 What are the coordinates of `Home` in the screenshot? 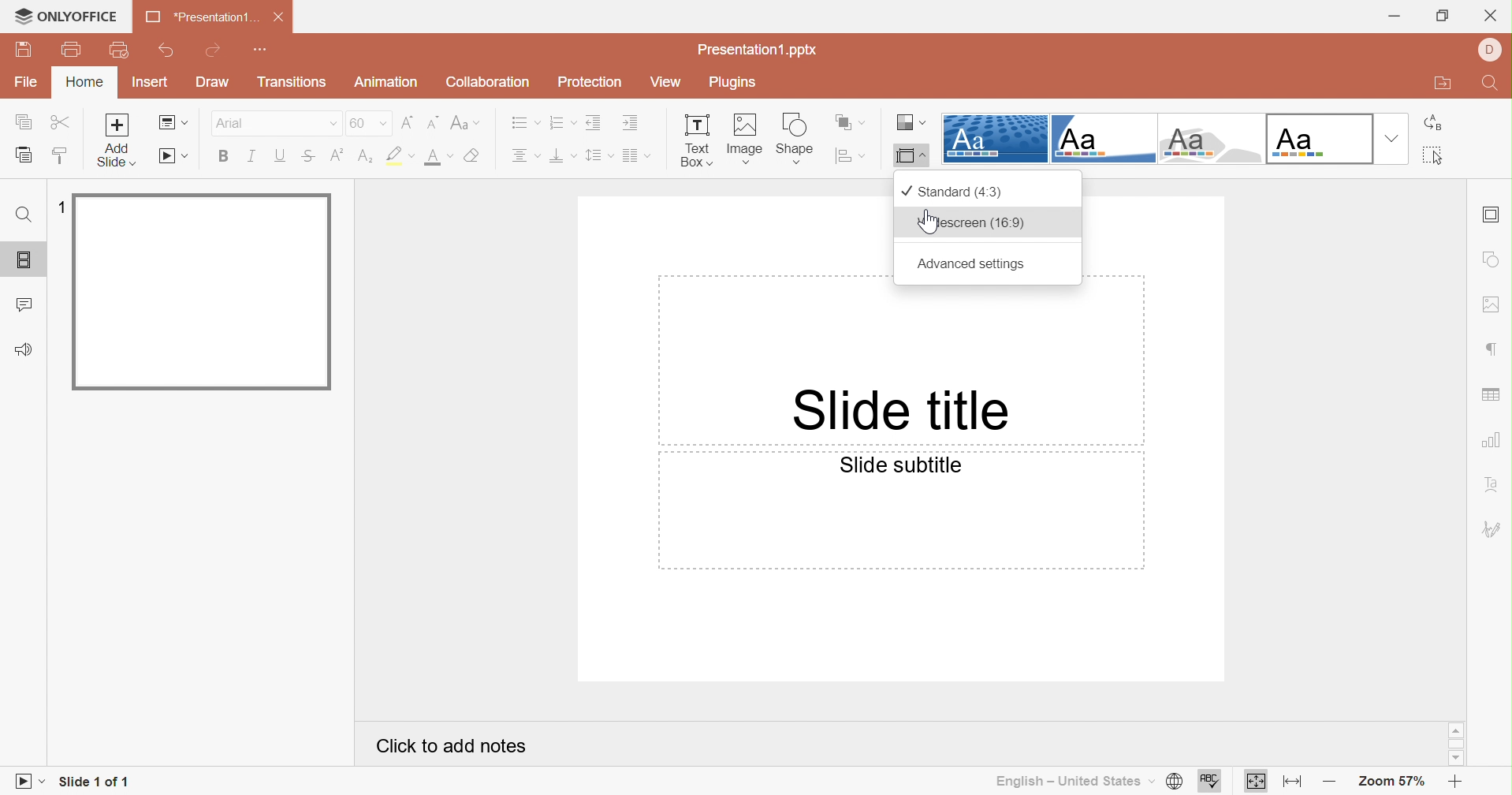 It's located at (86, 82).